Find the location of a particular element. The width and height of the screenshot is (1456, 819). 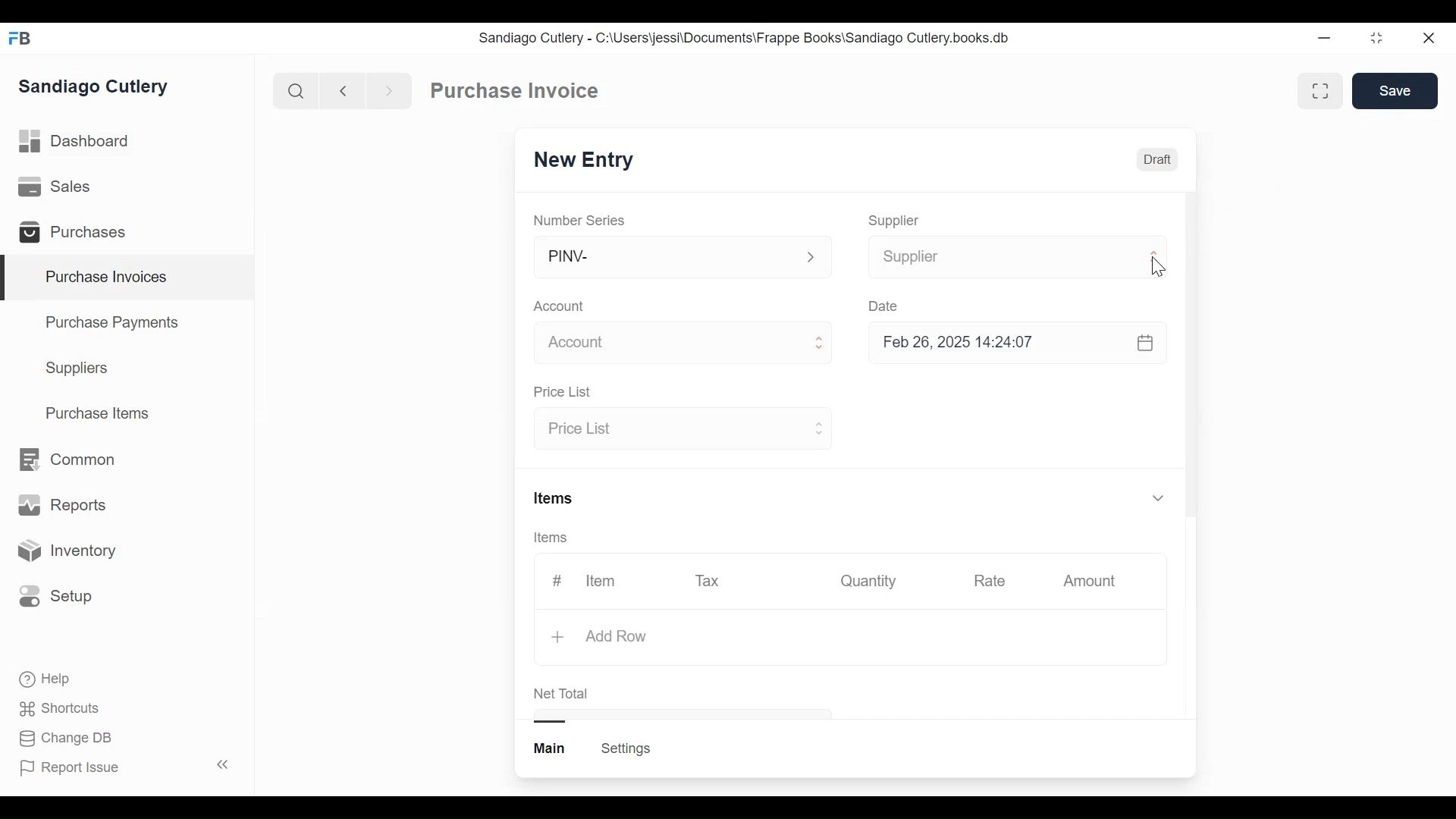

Main is located at coordinates (551, 747).